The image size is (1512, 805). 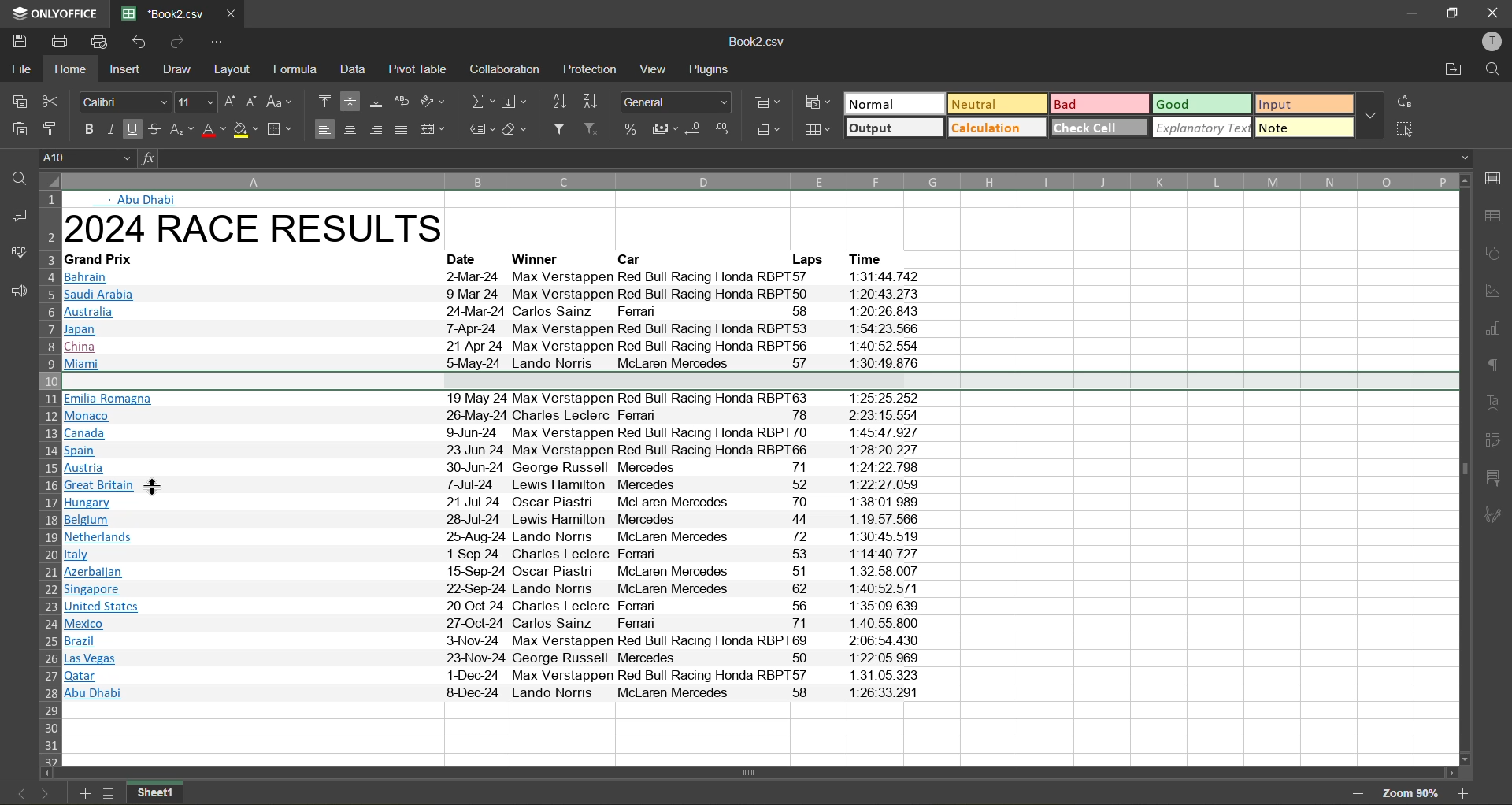 What do you see at coordinates (54, 101) in the screenshot?
I see `cut` at bounding box center [54, 101].